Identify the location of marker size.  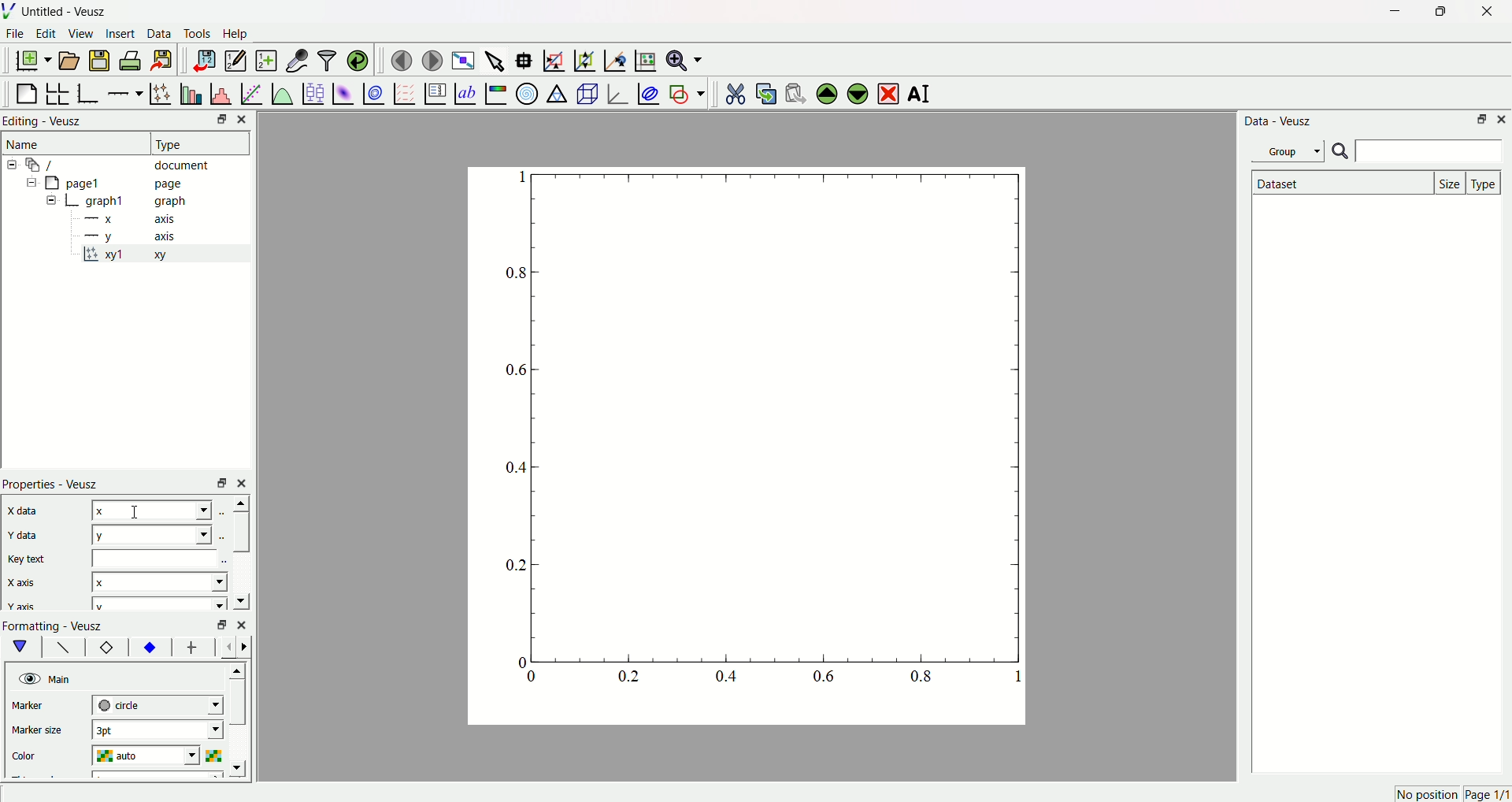
(41, 732).